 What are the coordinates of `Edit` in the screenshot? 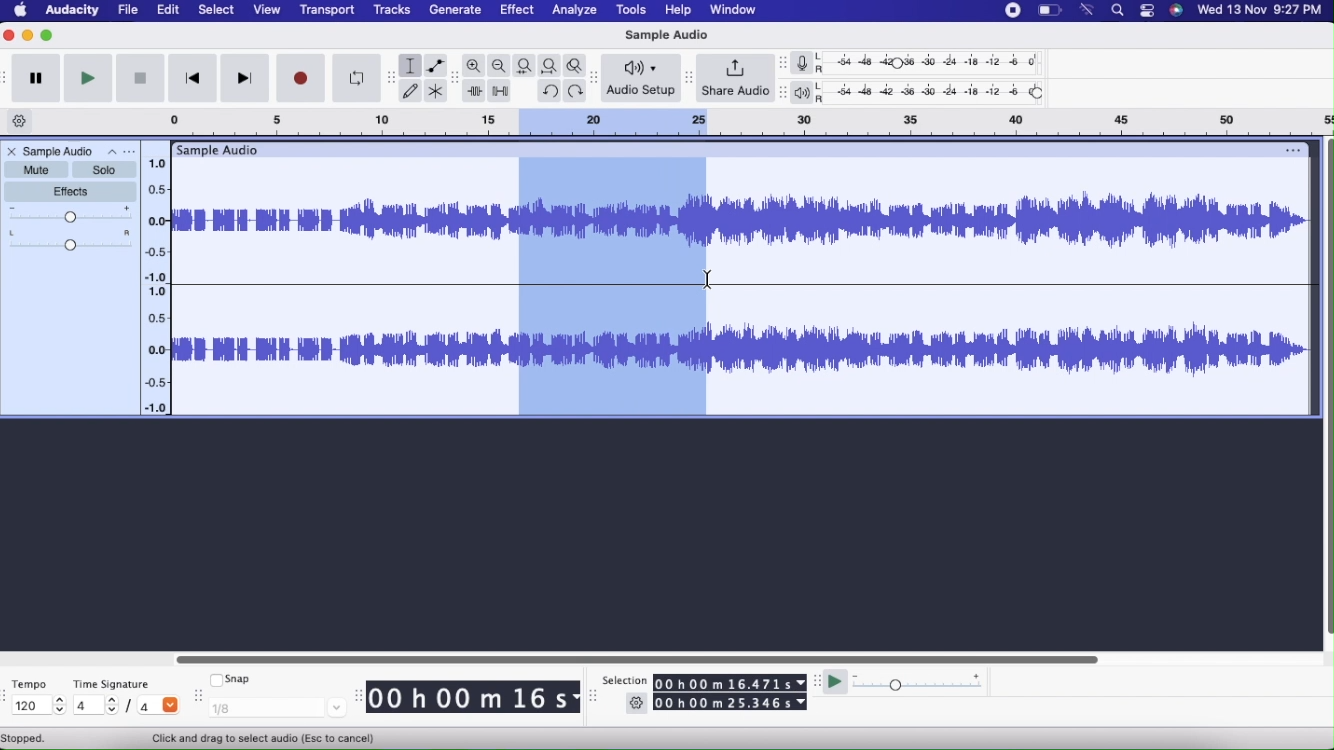 It's located at (167, 9).